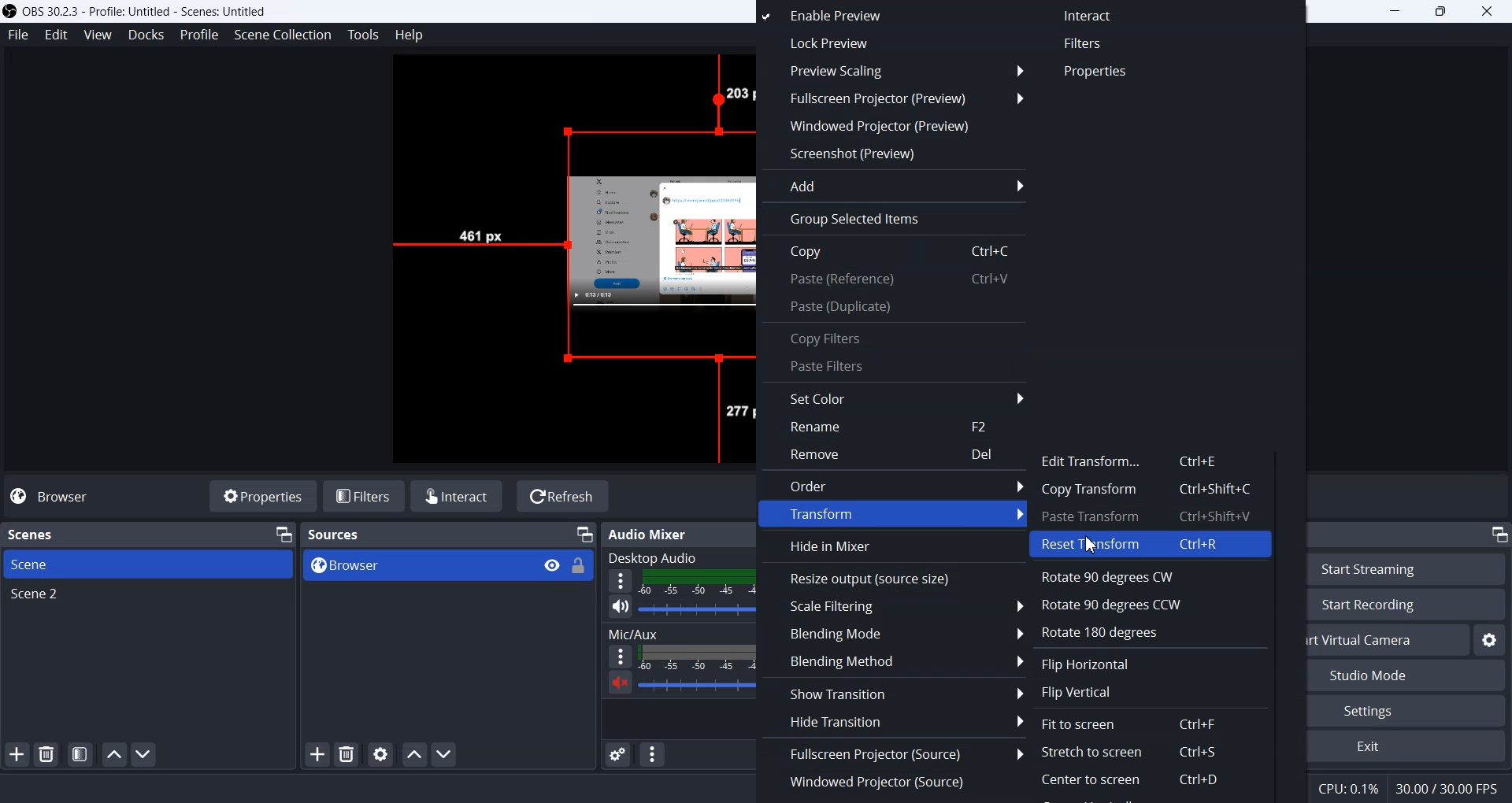  What do you see at coordinates (545, 564) in the screenshot?
I see `View` at bounding box center [545, 564].